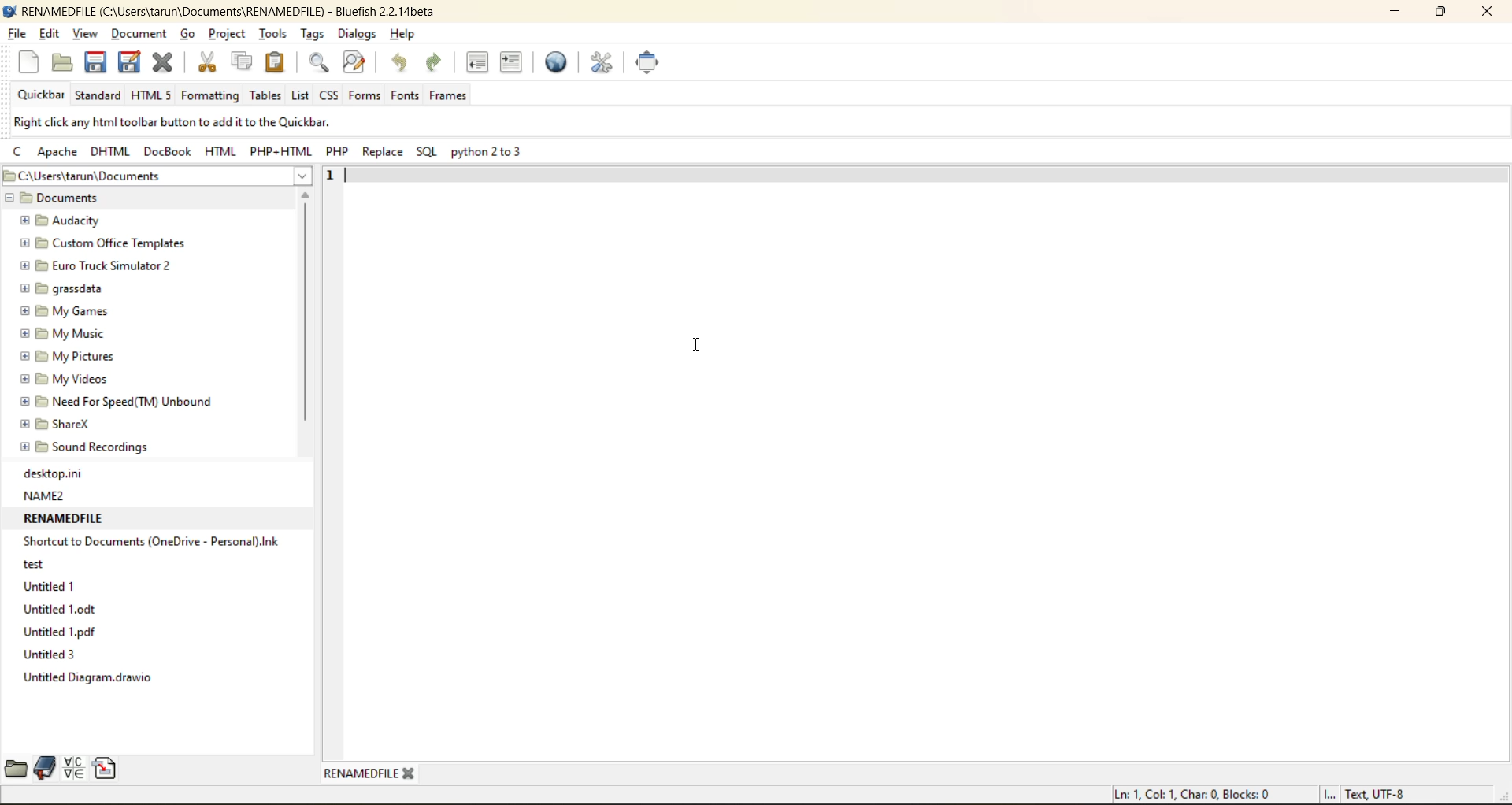  I want to click on My Games, so click(68, 310).